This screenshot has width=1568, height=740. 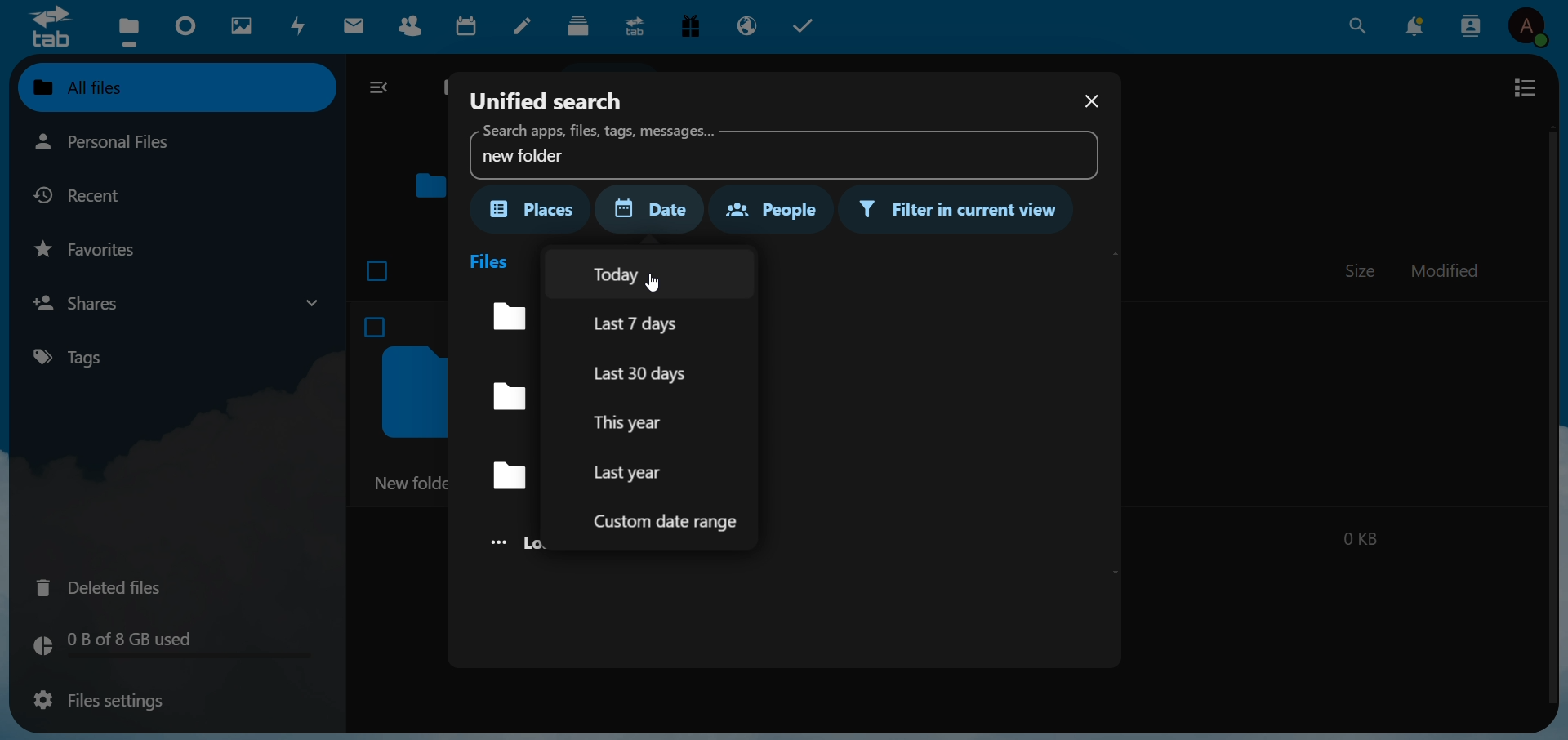 What do you see at coordinates (670, 292) in the screenshot?
I see `cursor` at bounding box center [670, 292].